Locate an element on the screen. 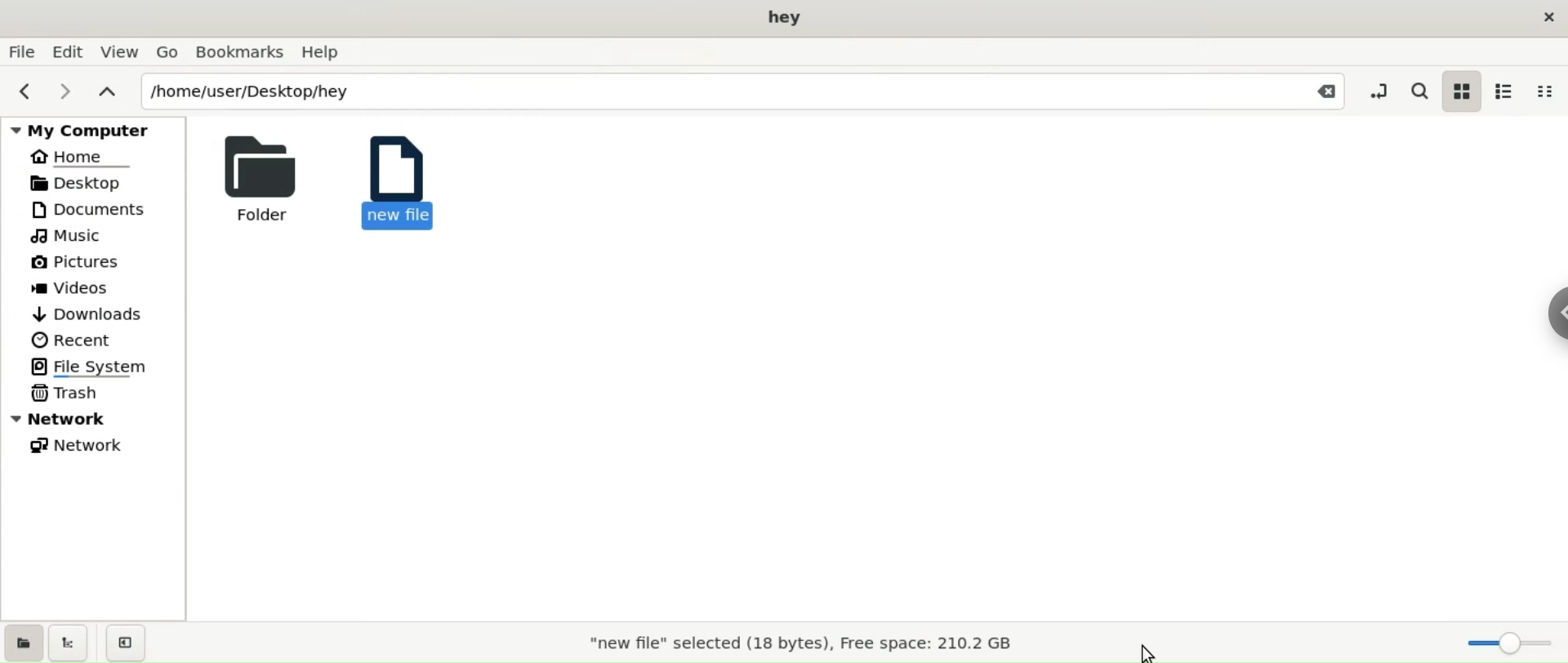 The height and width of the screenshot is (663, 1568). Network is located at coordinates (98, 418).